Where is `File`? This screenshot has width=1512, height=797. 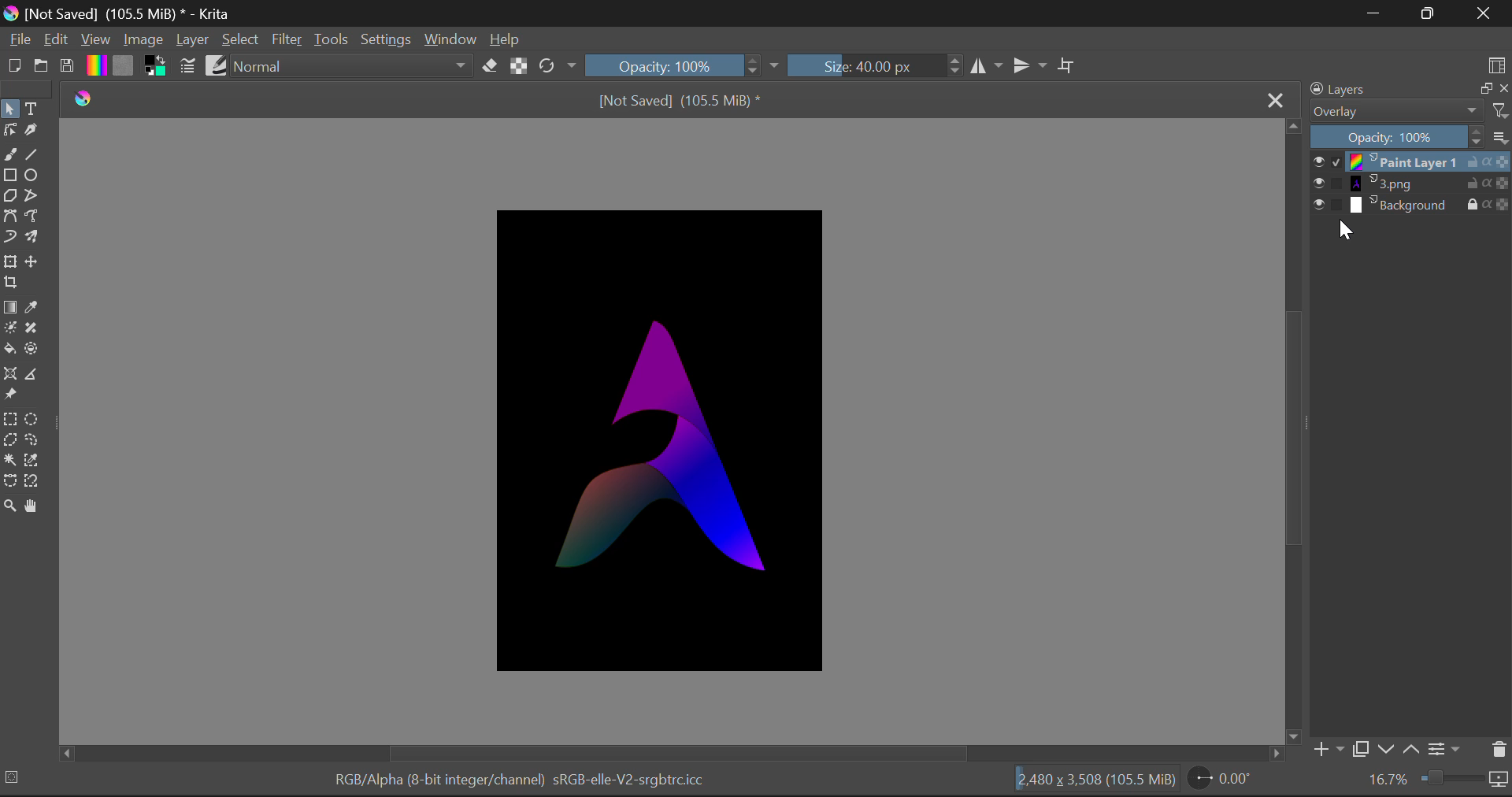
File is located at coordinates (20, 42).